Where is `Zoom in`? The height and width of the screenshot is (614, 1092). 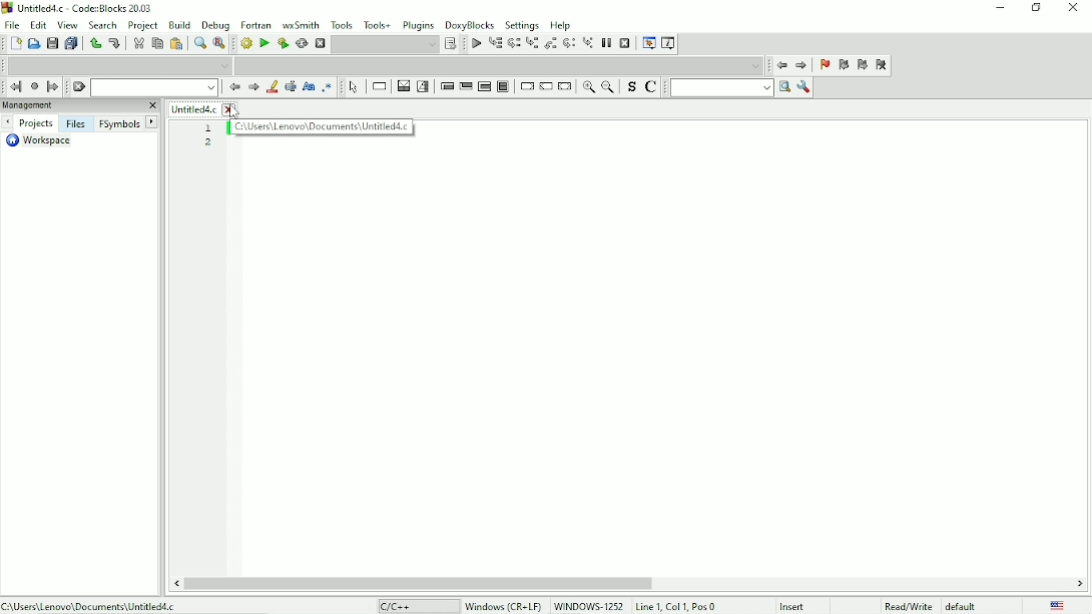 Zoom in is located at coordinates (587, 87).